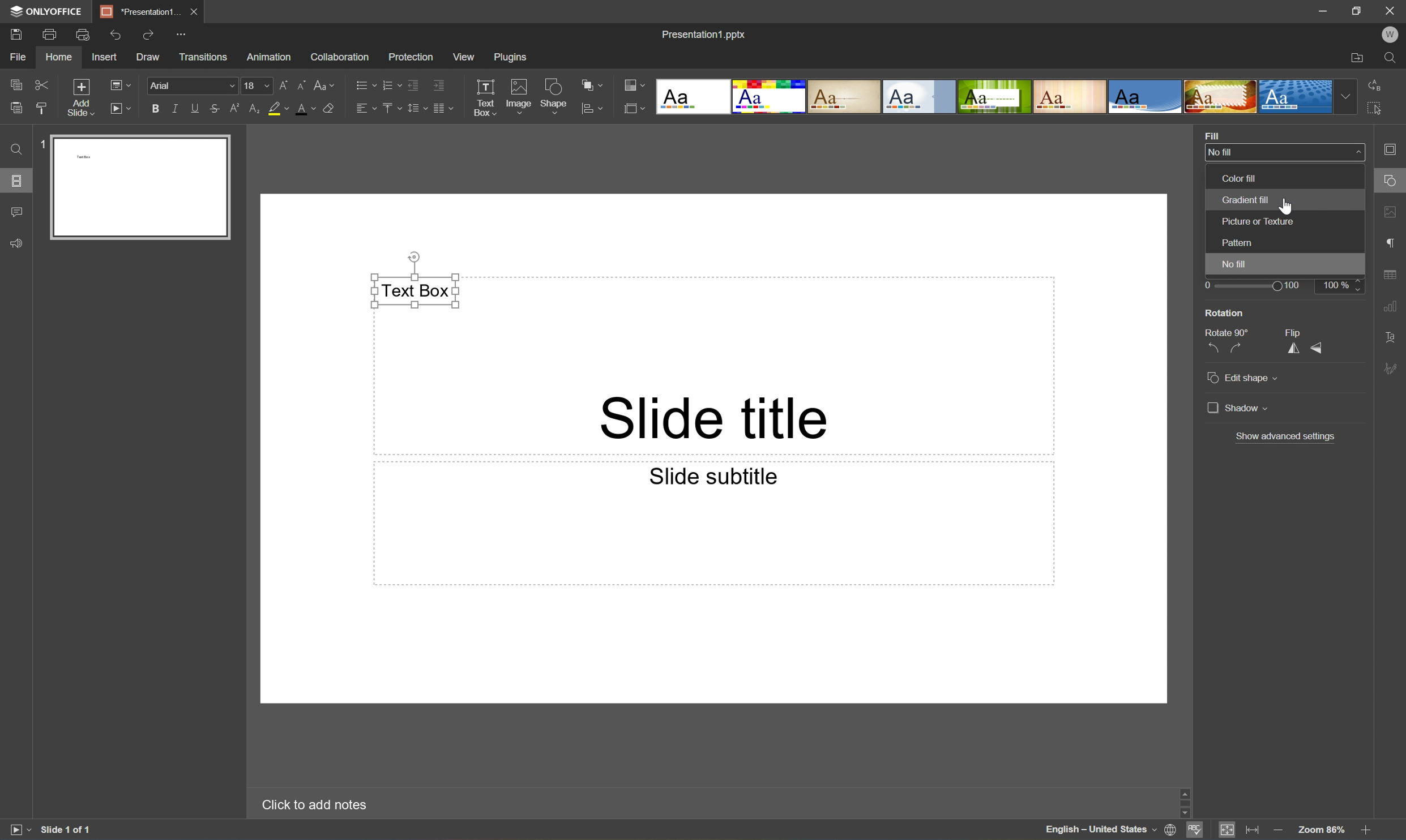 The width and height of the screenshot is (1406, 840). What do you see at coordinates (511, 57) in the screenshot?
I see `Plugins` at bounding box center [511, 57].